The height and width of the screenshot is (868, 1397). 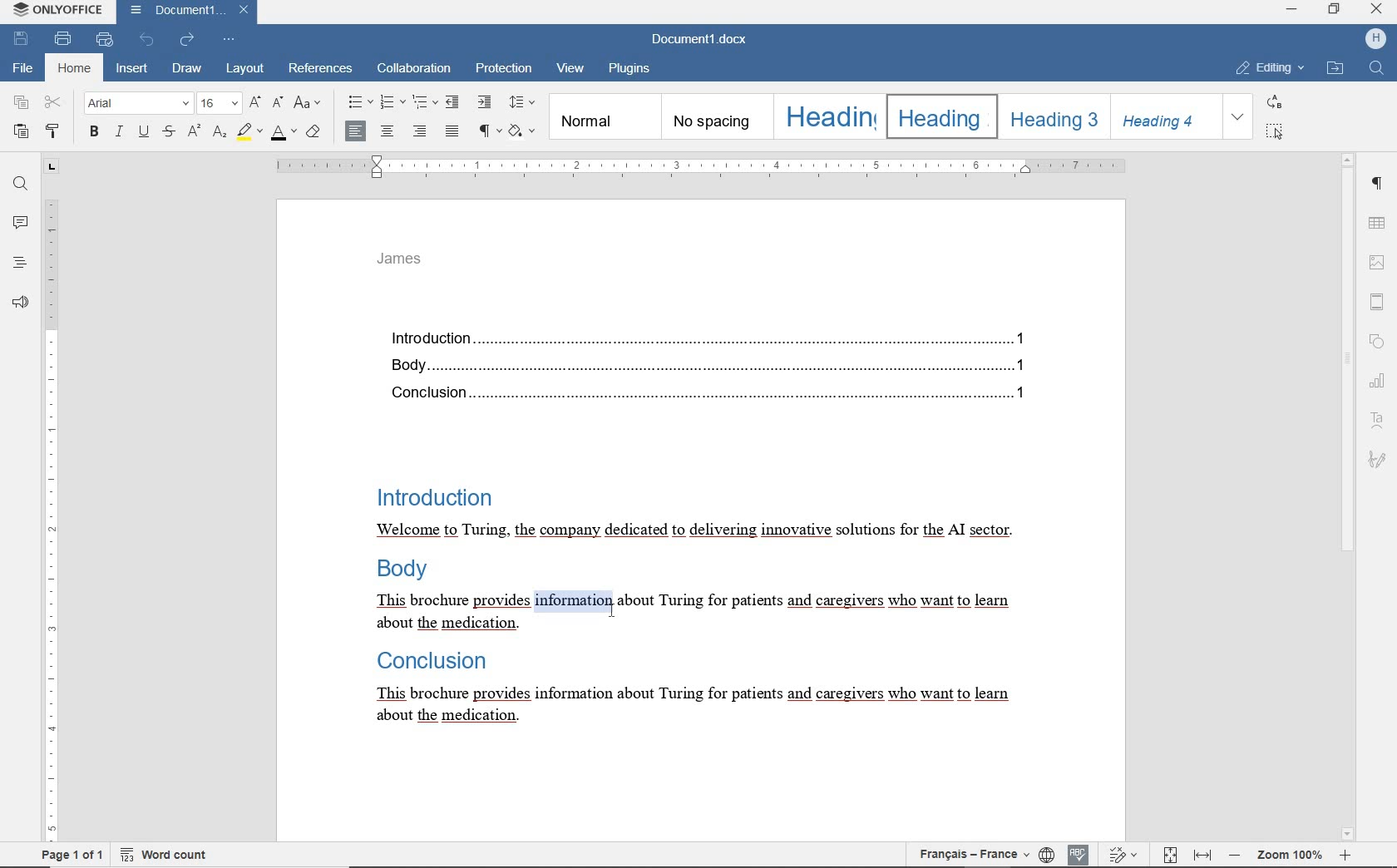 I want to click on SET DOCUMENT LANGUAGE, so click(x=1047, y=856).